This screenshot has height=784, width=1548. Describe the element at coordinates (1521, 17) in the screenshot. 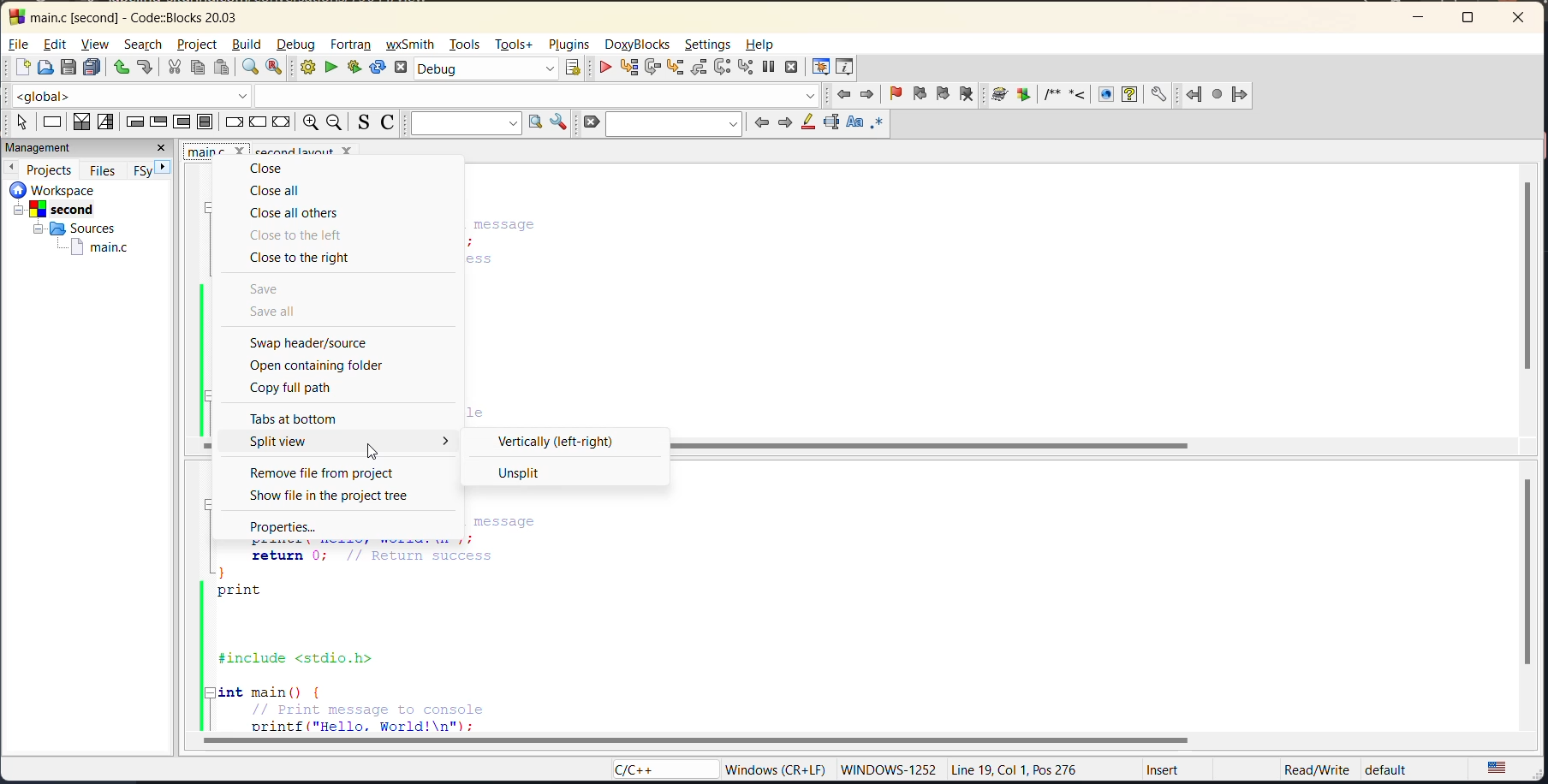

I see `close` at that location.